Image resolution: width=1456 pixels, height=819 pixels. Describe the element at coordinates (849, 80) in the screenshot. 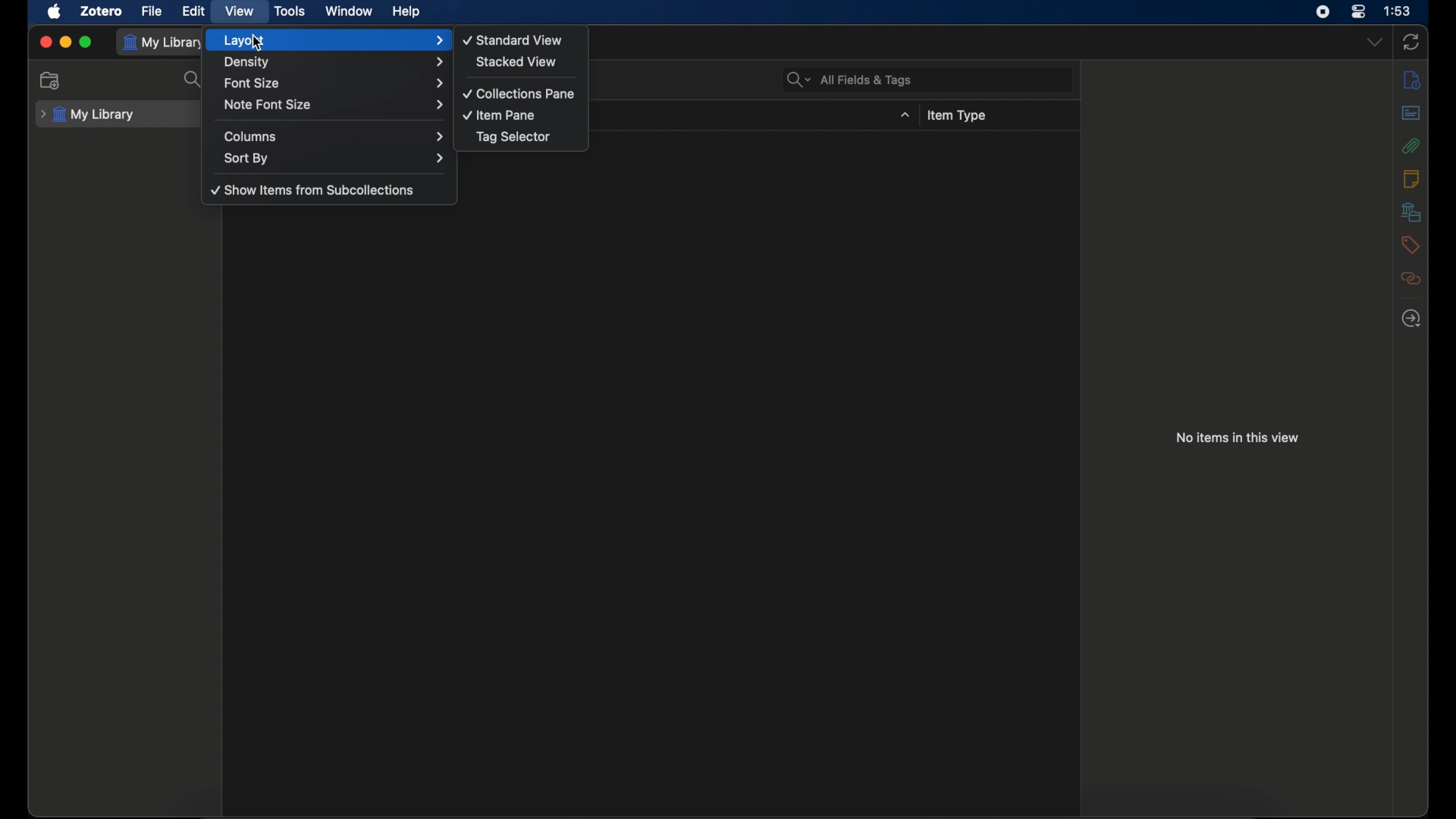

I see `search bar` at that location.